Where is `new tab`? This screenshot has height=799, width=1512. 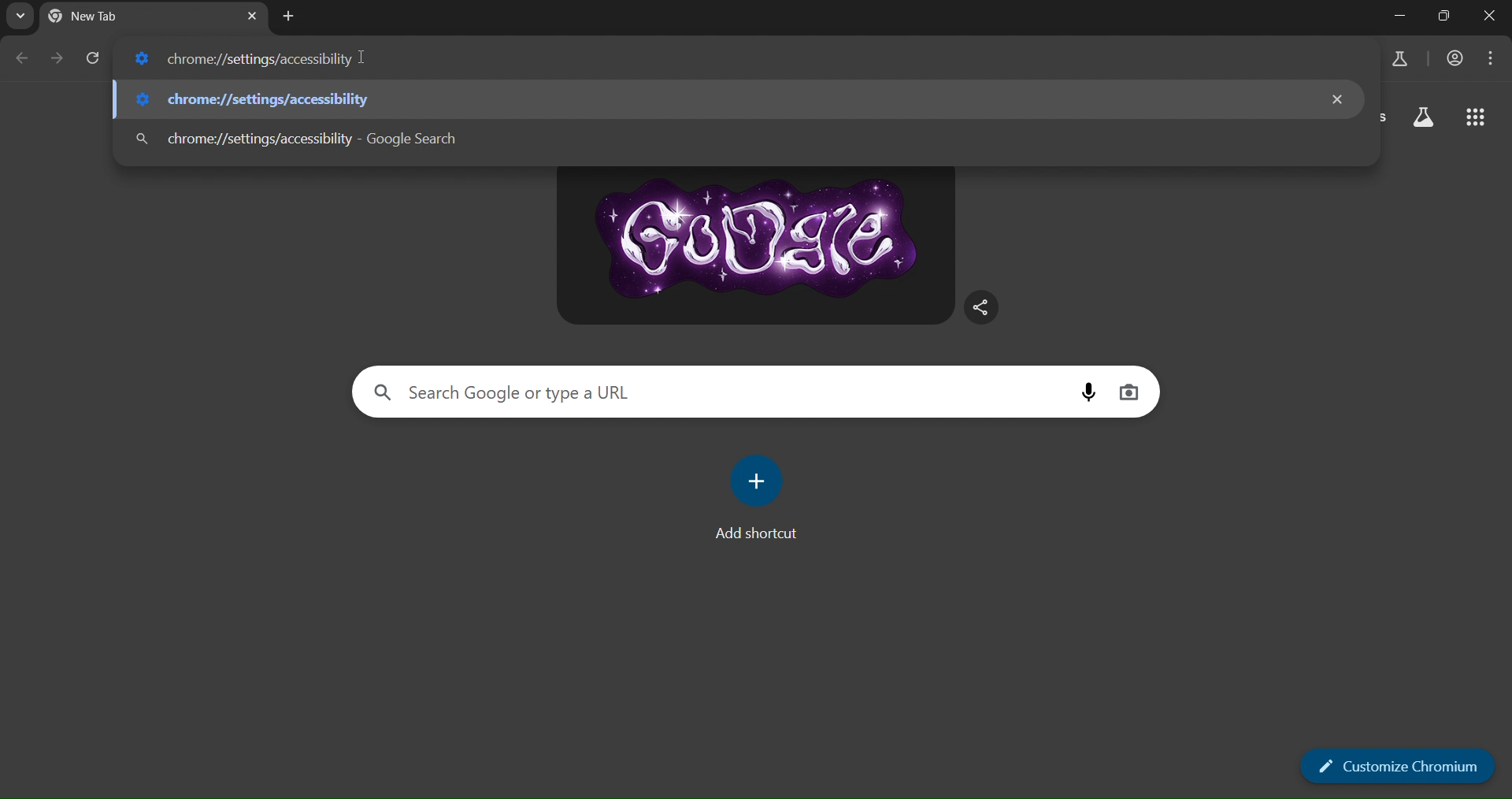
new tab is located at coordinates (292, 17).